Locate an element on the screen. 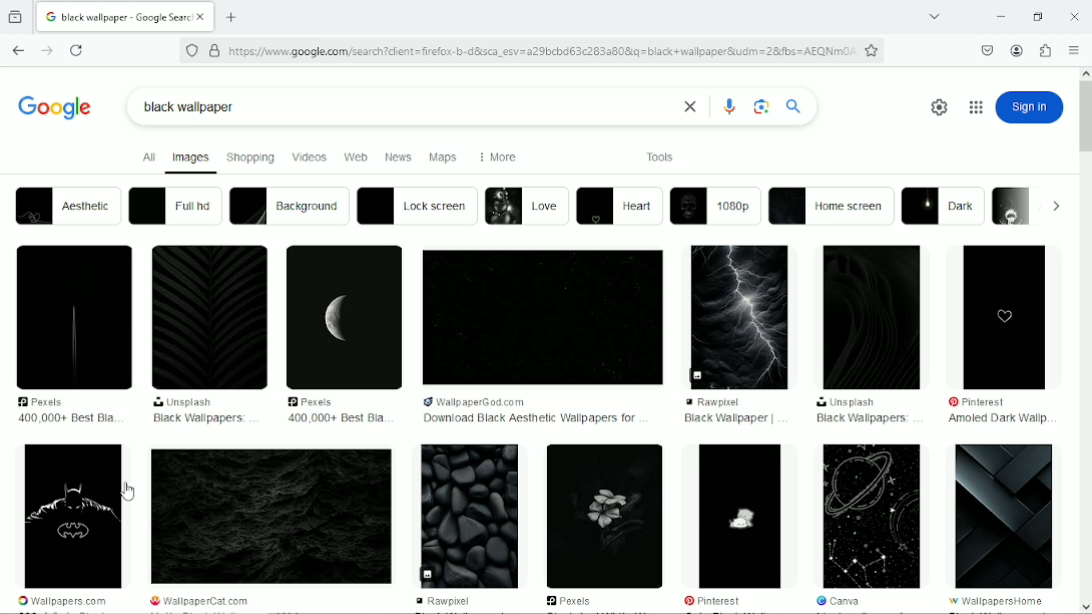 The height and width of the screenshot is (614, 1092). google logo is located at coordinates (55, 104).